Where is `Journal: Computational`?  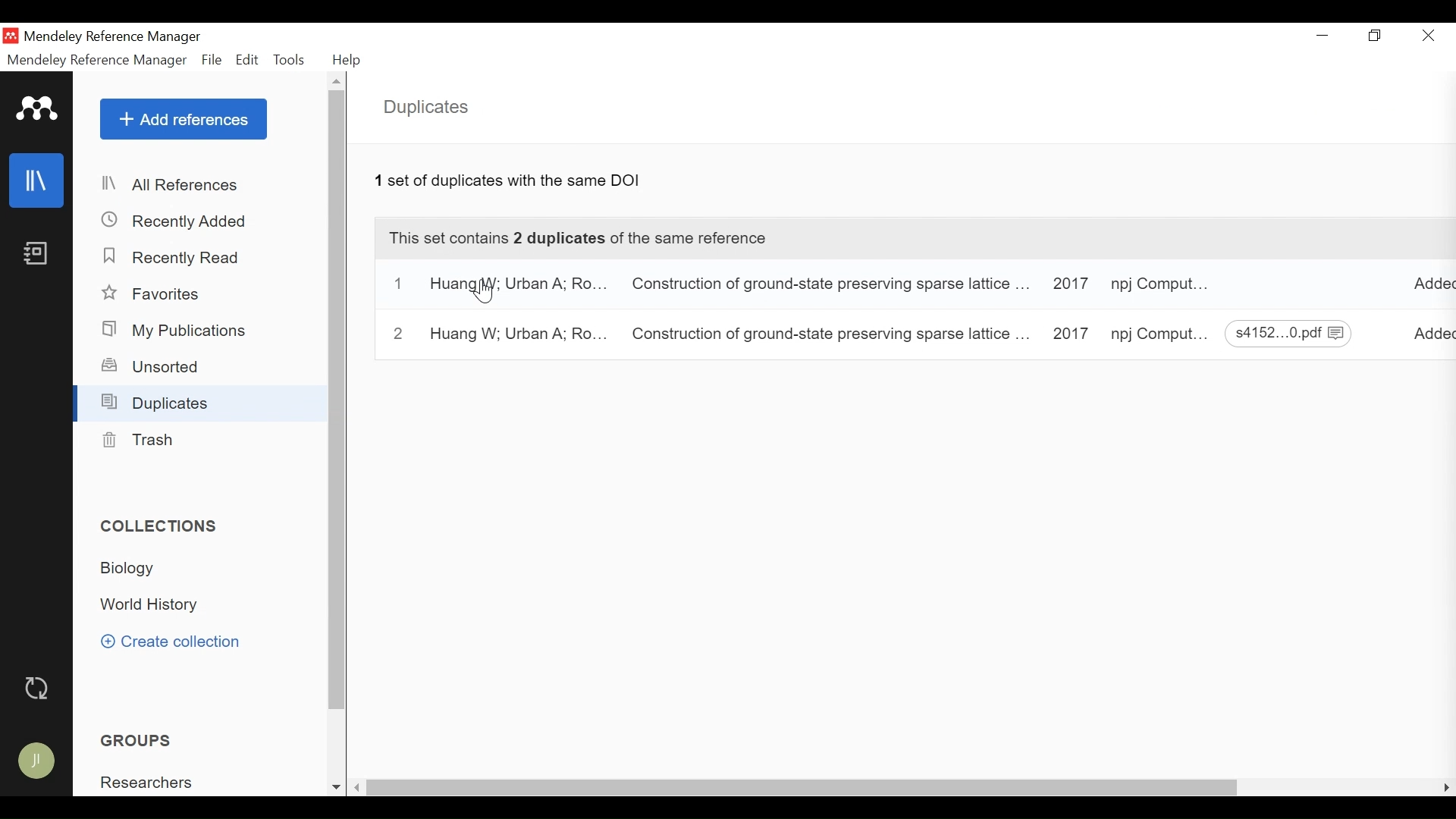 Journal: Computational is located at coordinates (1161, 287).